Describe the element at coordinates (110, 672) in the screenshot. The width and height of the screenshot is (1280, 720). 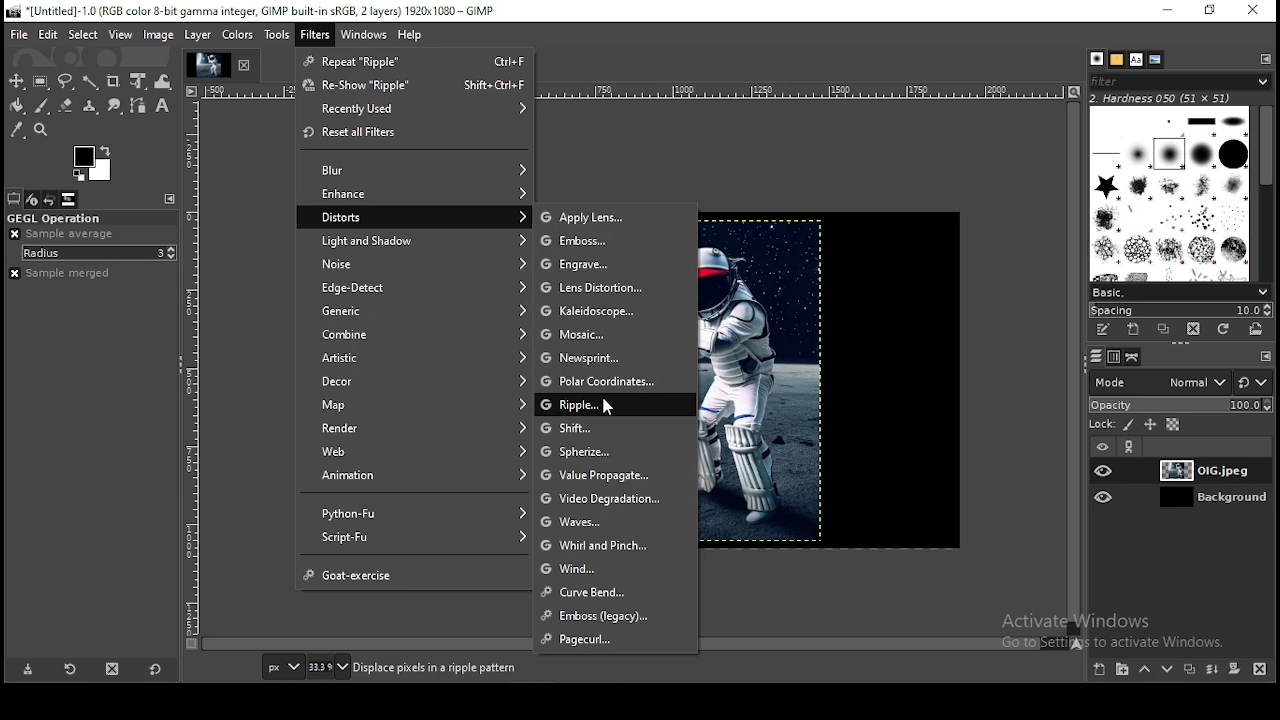
I see `delete tool preset` at that location.